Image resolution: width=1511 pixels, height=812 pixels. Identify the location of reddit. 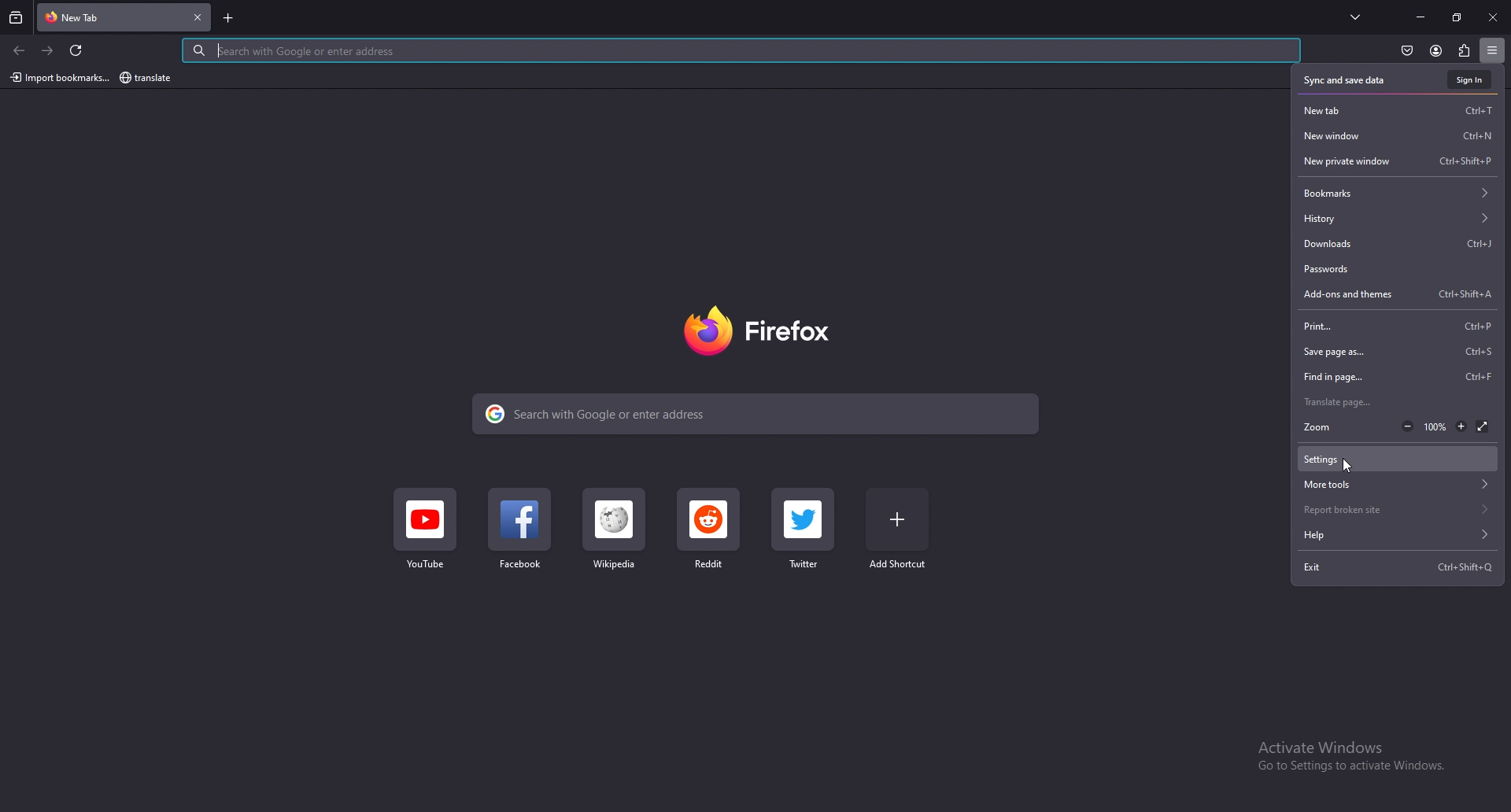
(709, 531).